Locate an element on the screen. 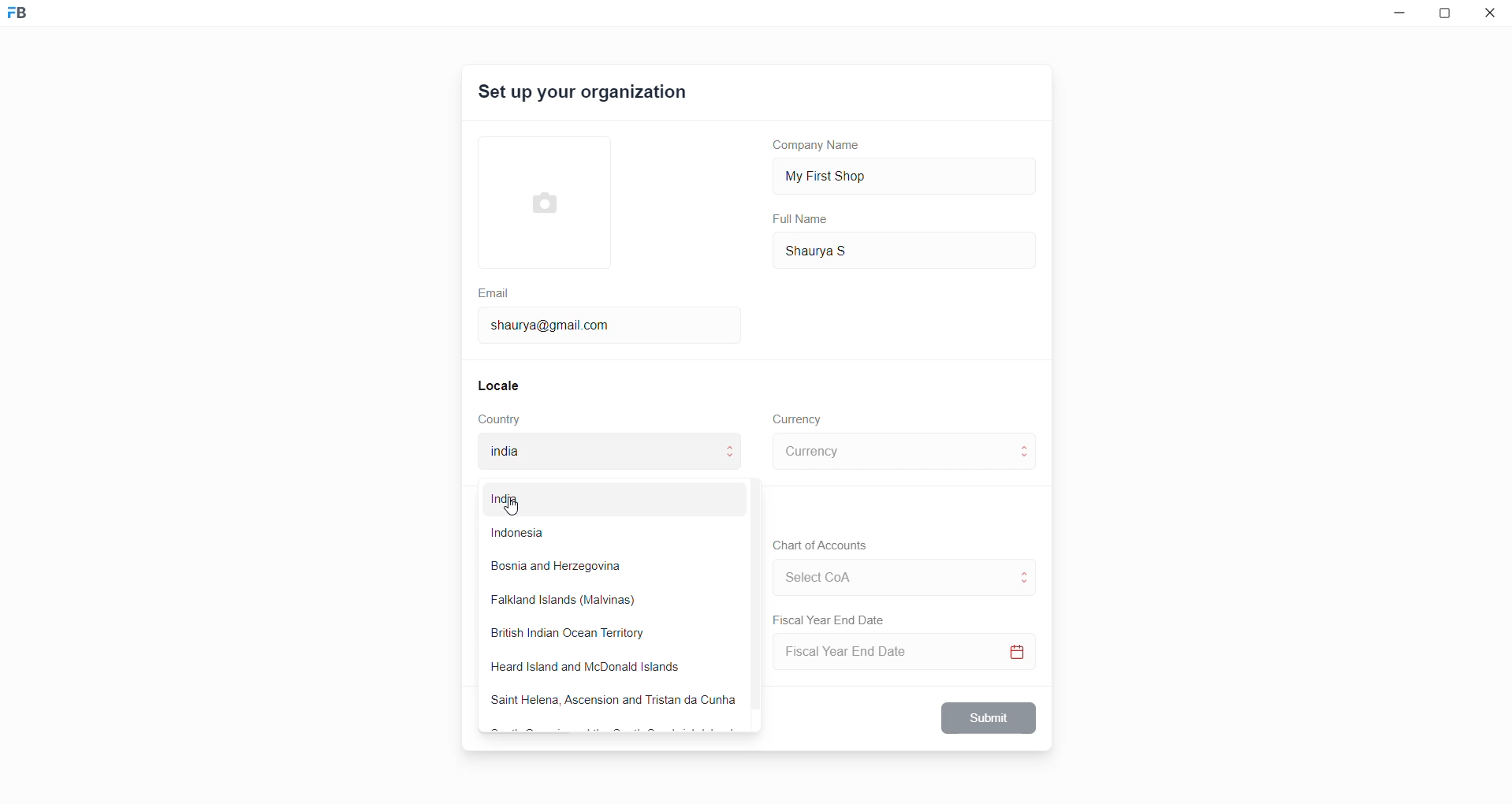 The height and width of the screenshot is (804, 1512). Frappe Book logo is located at coordinates (31, 20).